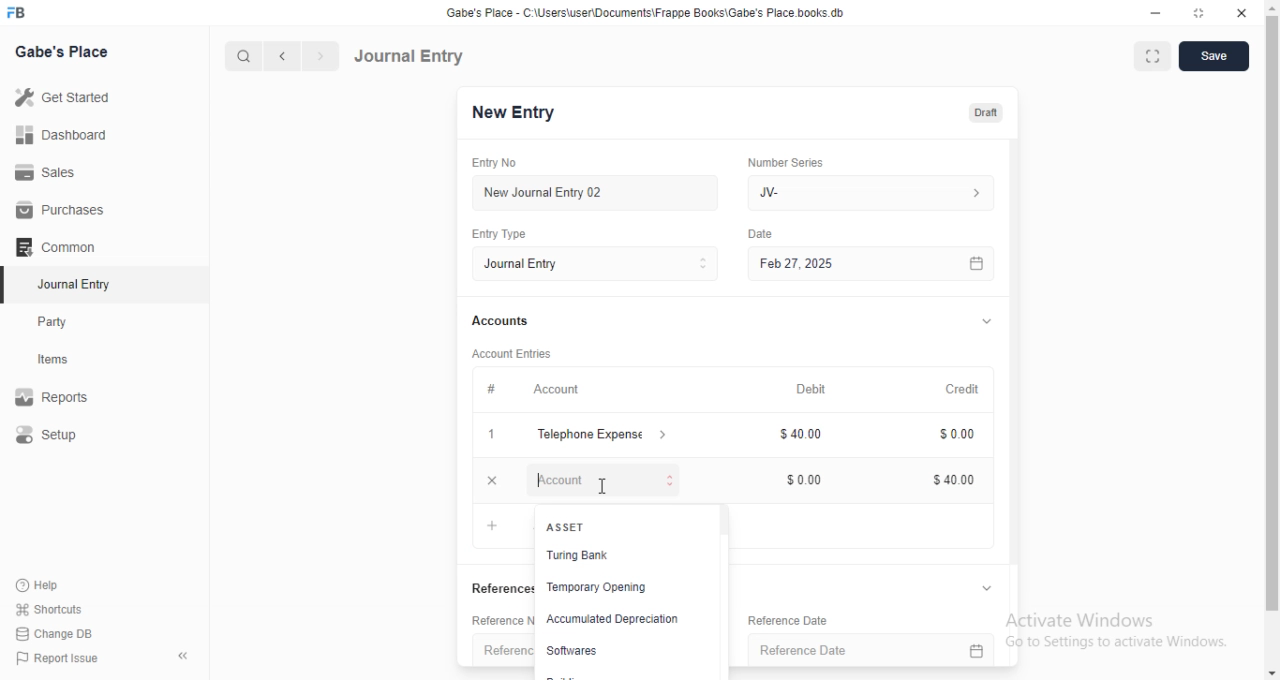  I want to click on Turing Bank, so click(575, 555).